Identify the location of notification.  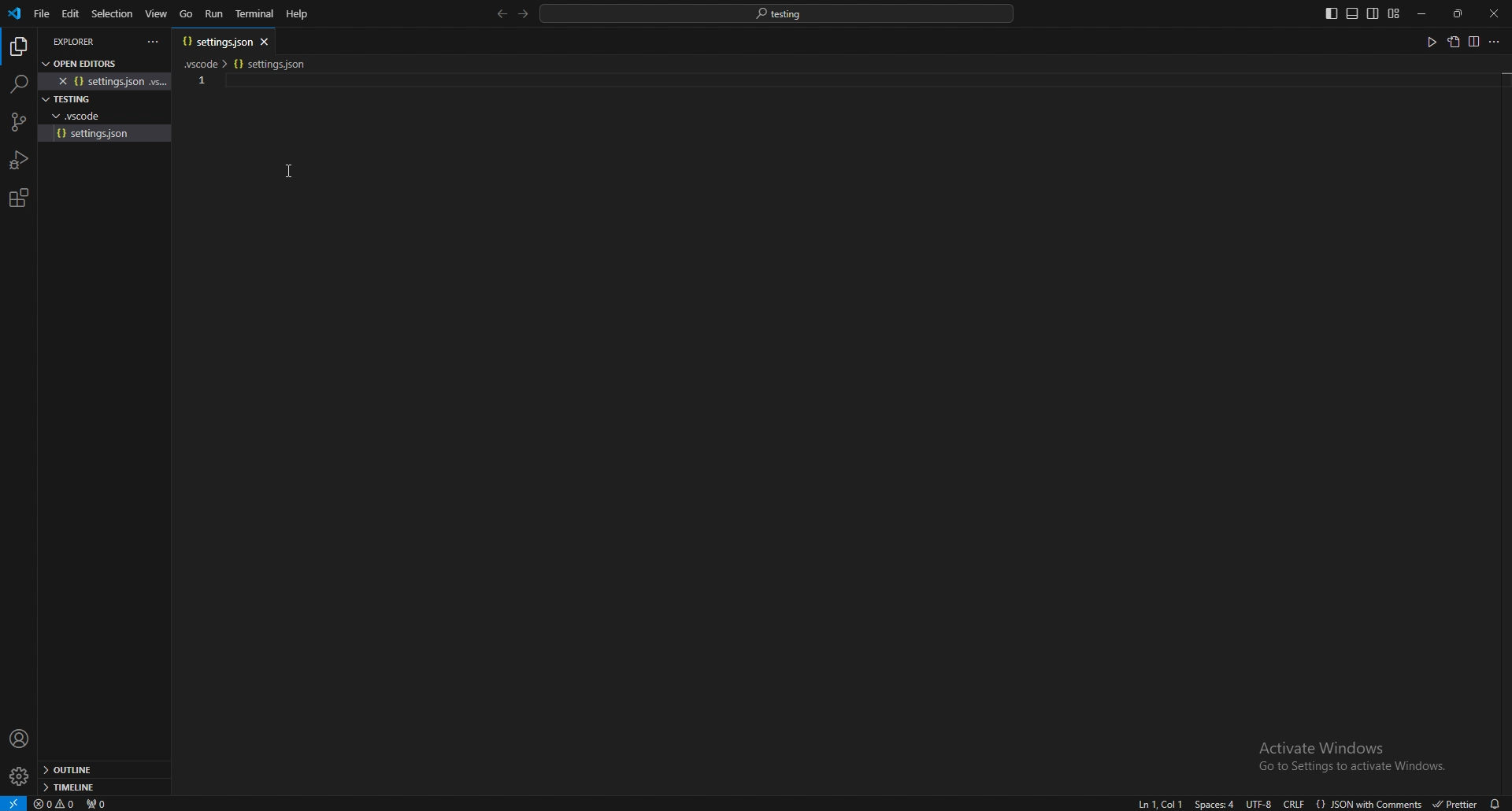
(1493, 803).